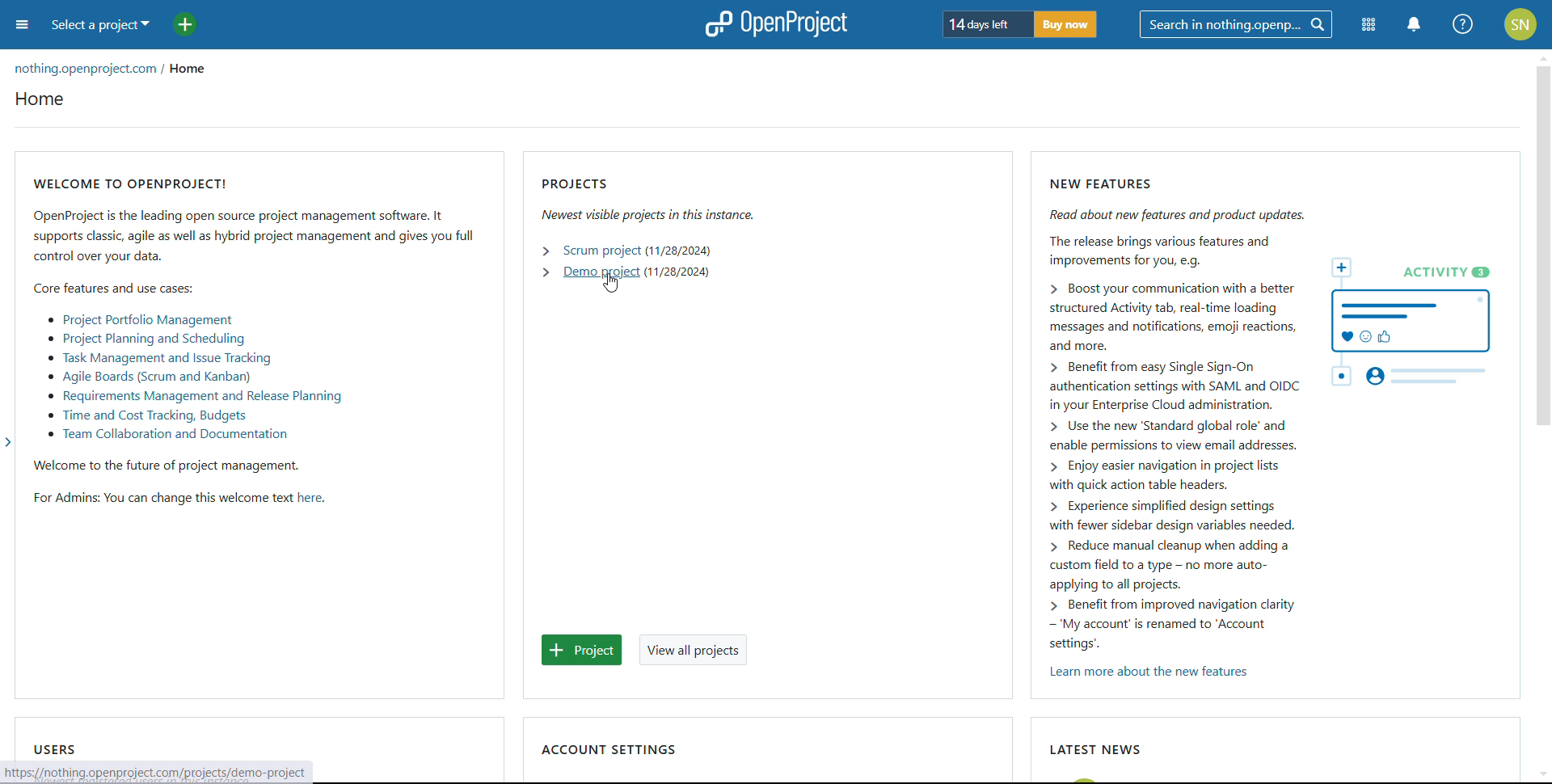 This screenshot has height=784, width=1552. I want to click on view all projects, so click(693, 650).